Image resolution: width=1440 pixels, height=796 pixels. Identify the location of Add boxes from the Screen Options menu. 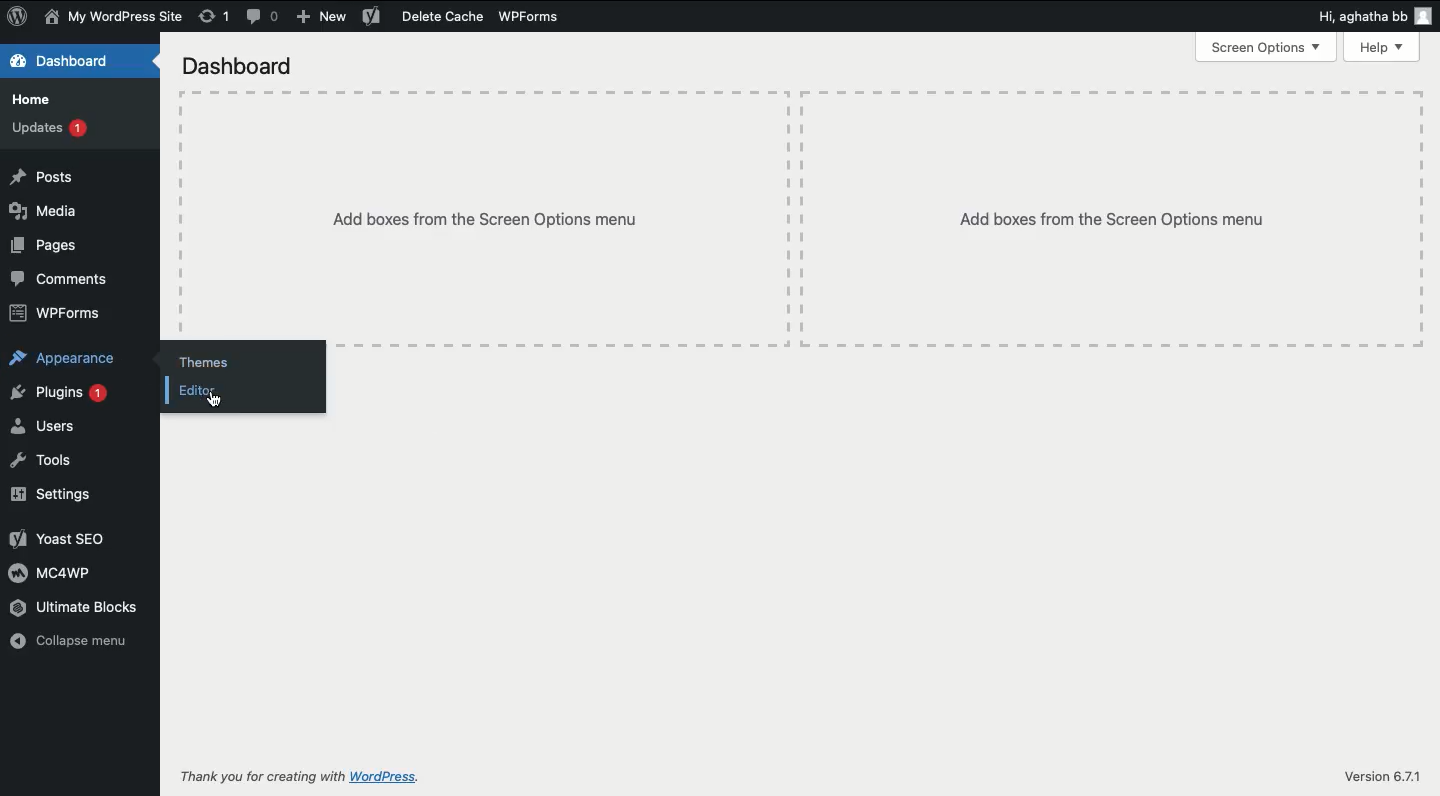
(491, 216).